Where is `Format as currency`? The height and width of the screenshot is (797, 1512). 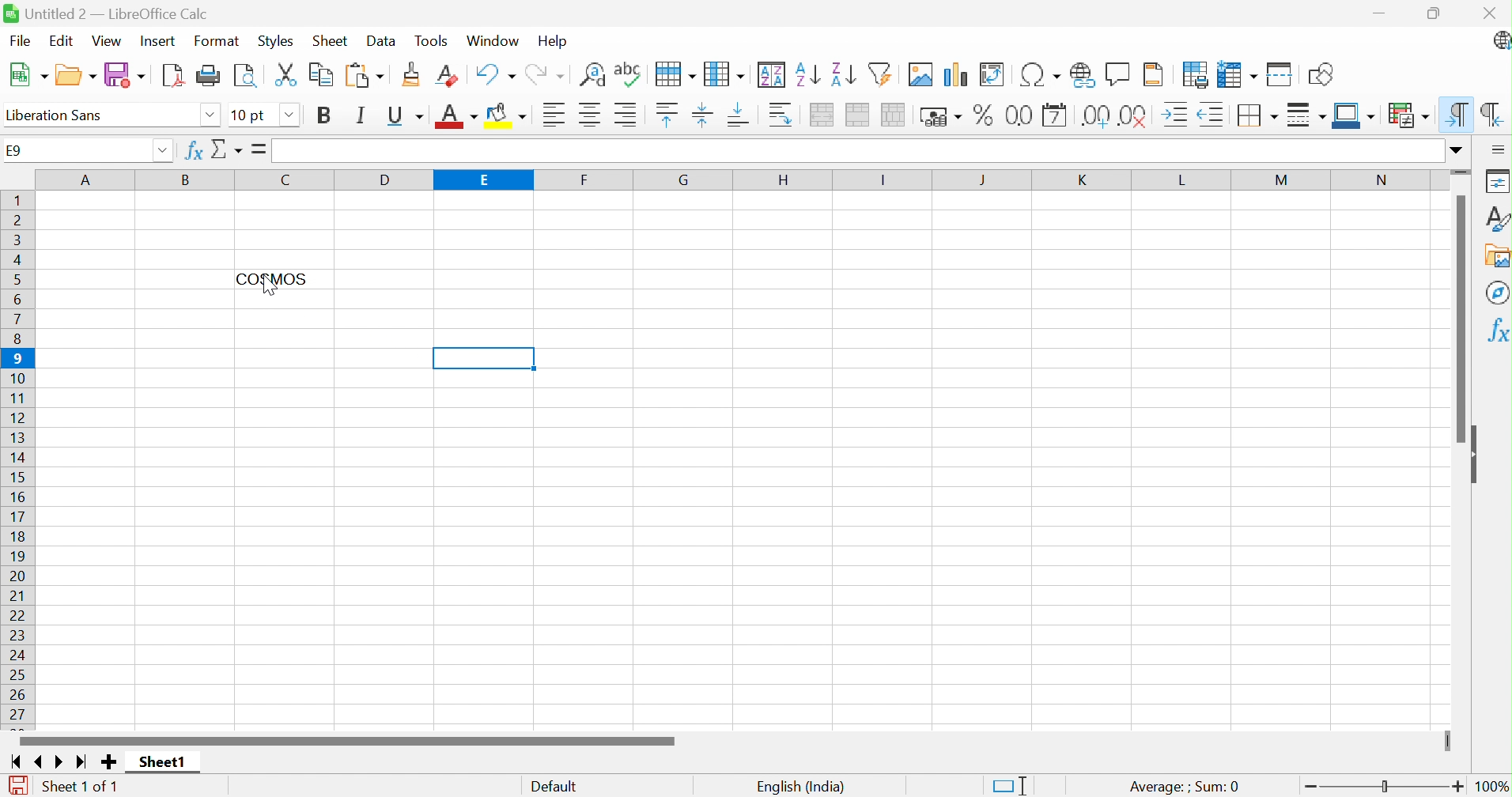
Format as currency is located at coordinates (940, 118).